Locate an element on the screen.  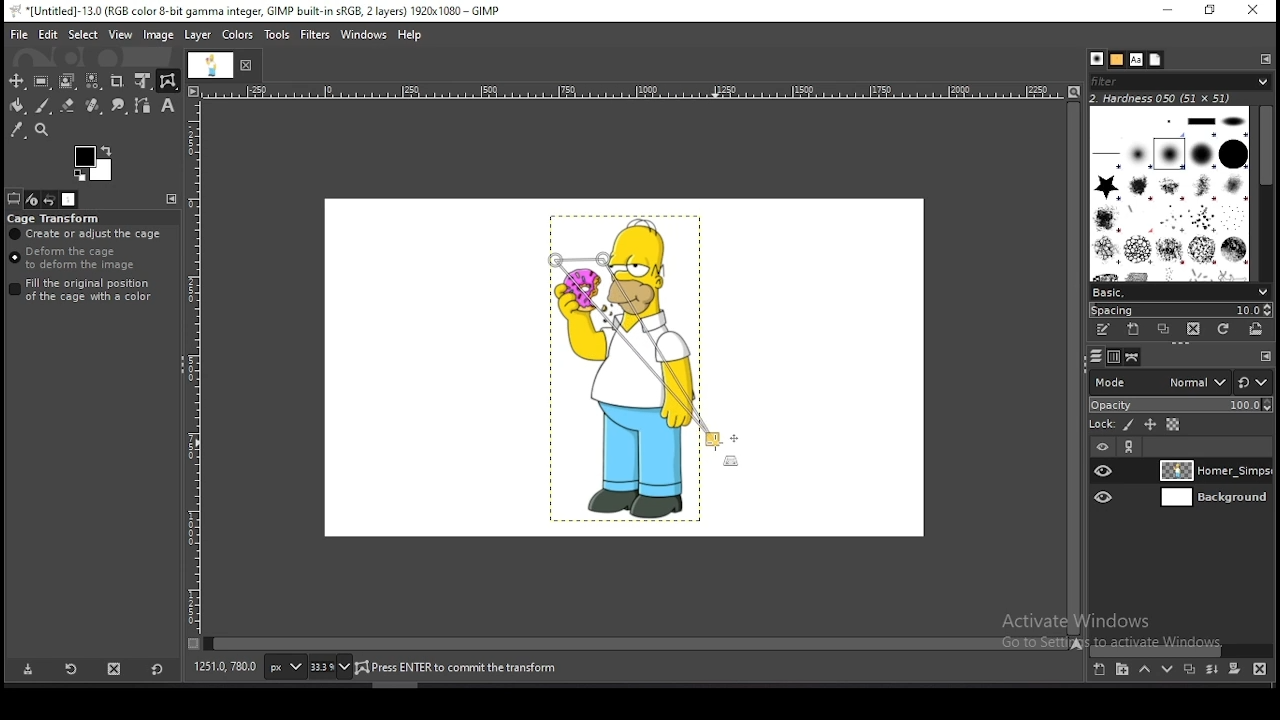
select is located at coordinates (83, 34).